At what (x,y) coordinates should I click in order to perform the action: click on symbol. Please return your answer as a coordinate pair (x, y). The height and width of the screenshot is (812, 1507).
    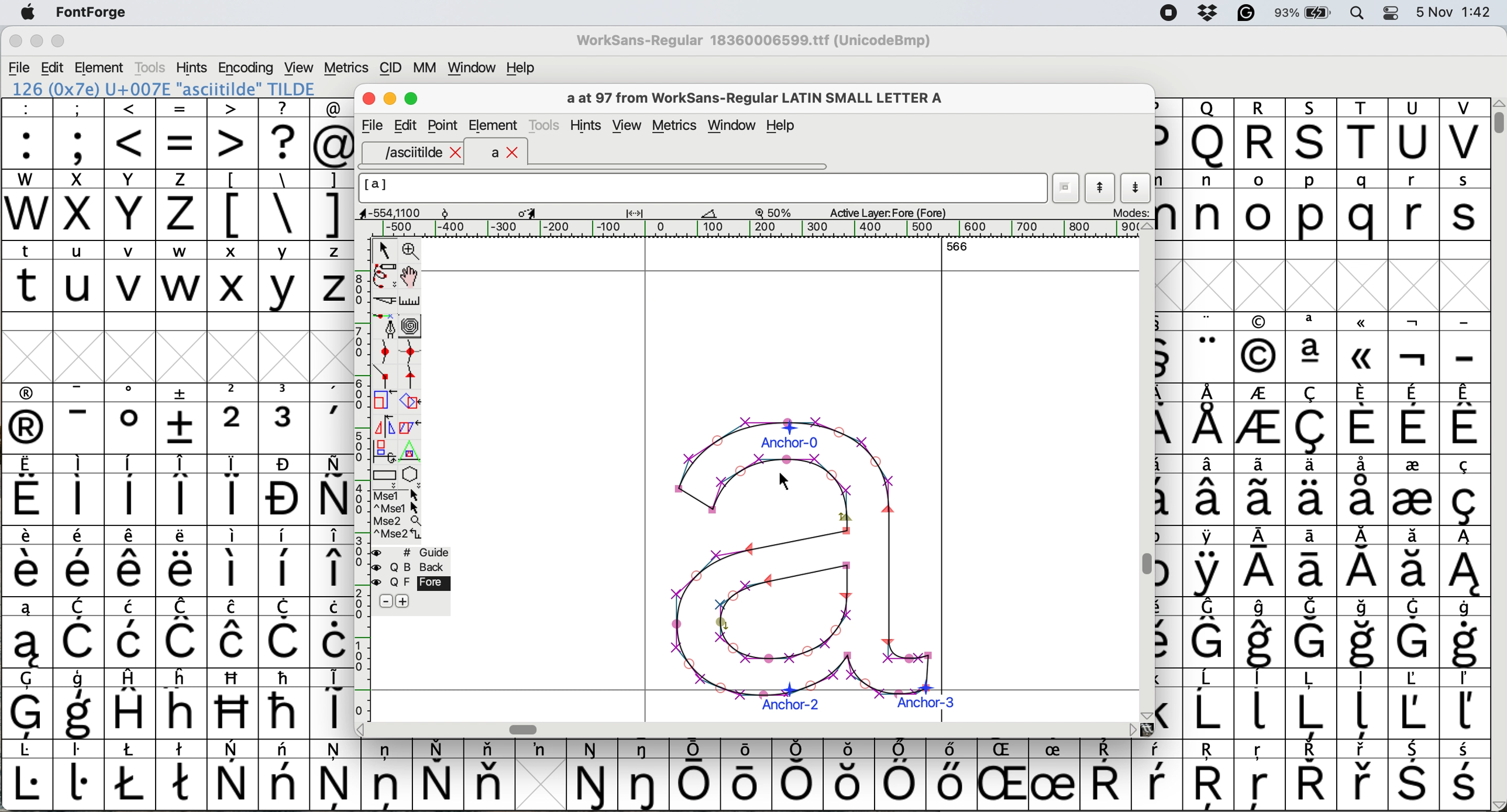
    Looking at the image, I should click on (336, 774).